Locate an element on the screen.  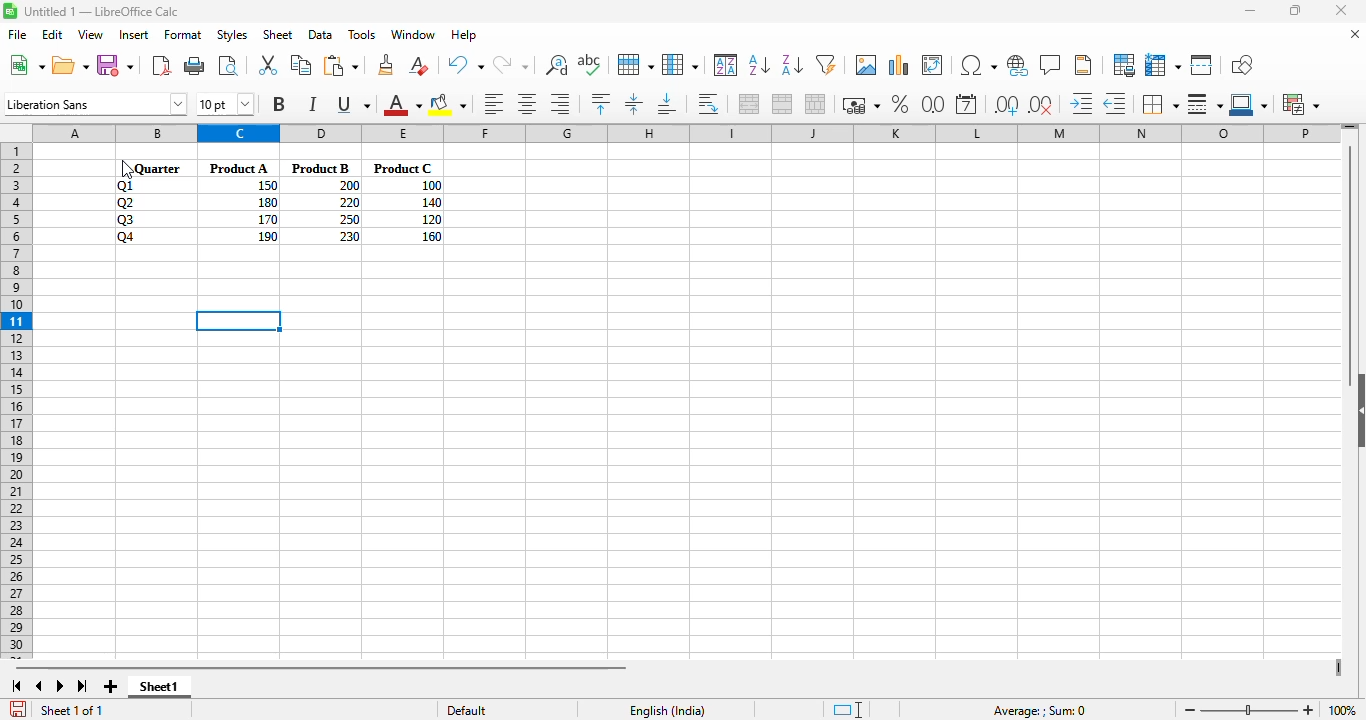
align center is located at coordinates (528, 104).